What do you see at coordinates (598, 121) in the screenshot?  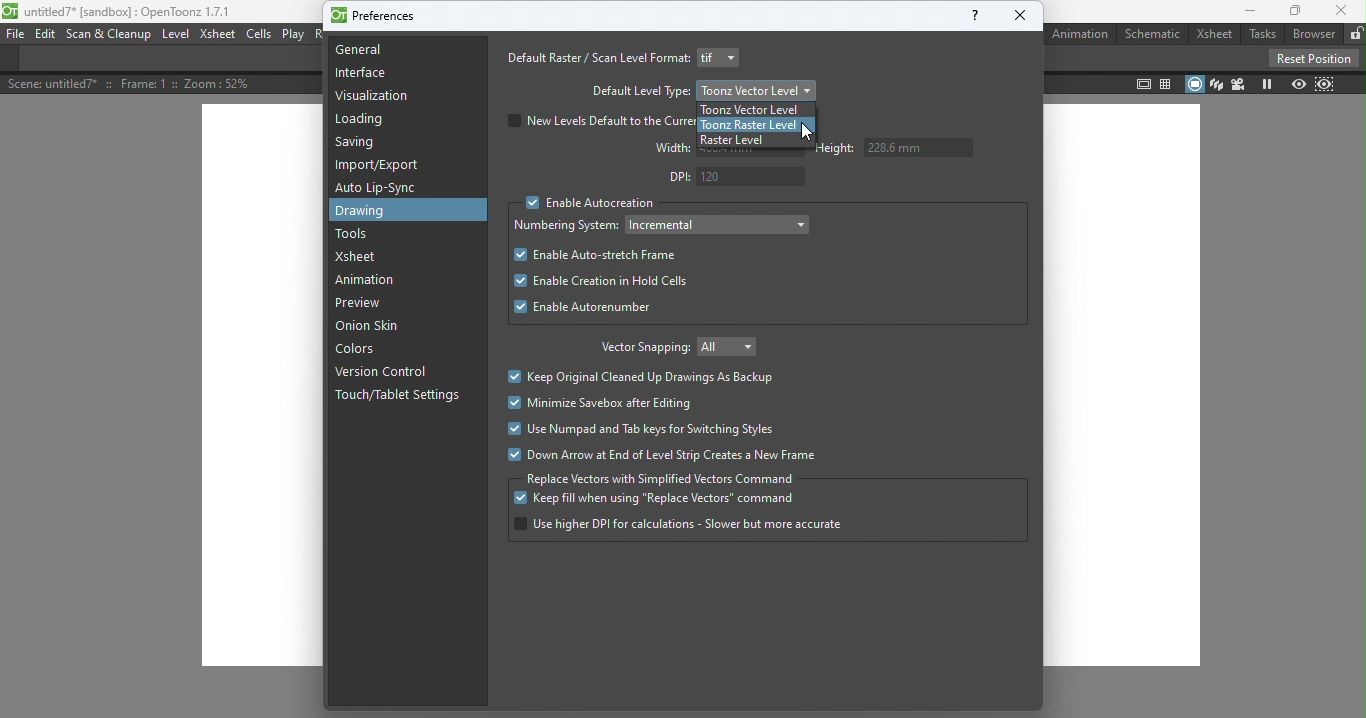 I see `New levels default to the current camera size` at bounding box center [598, 121].